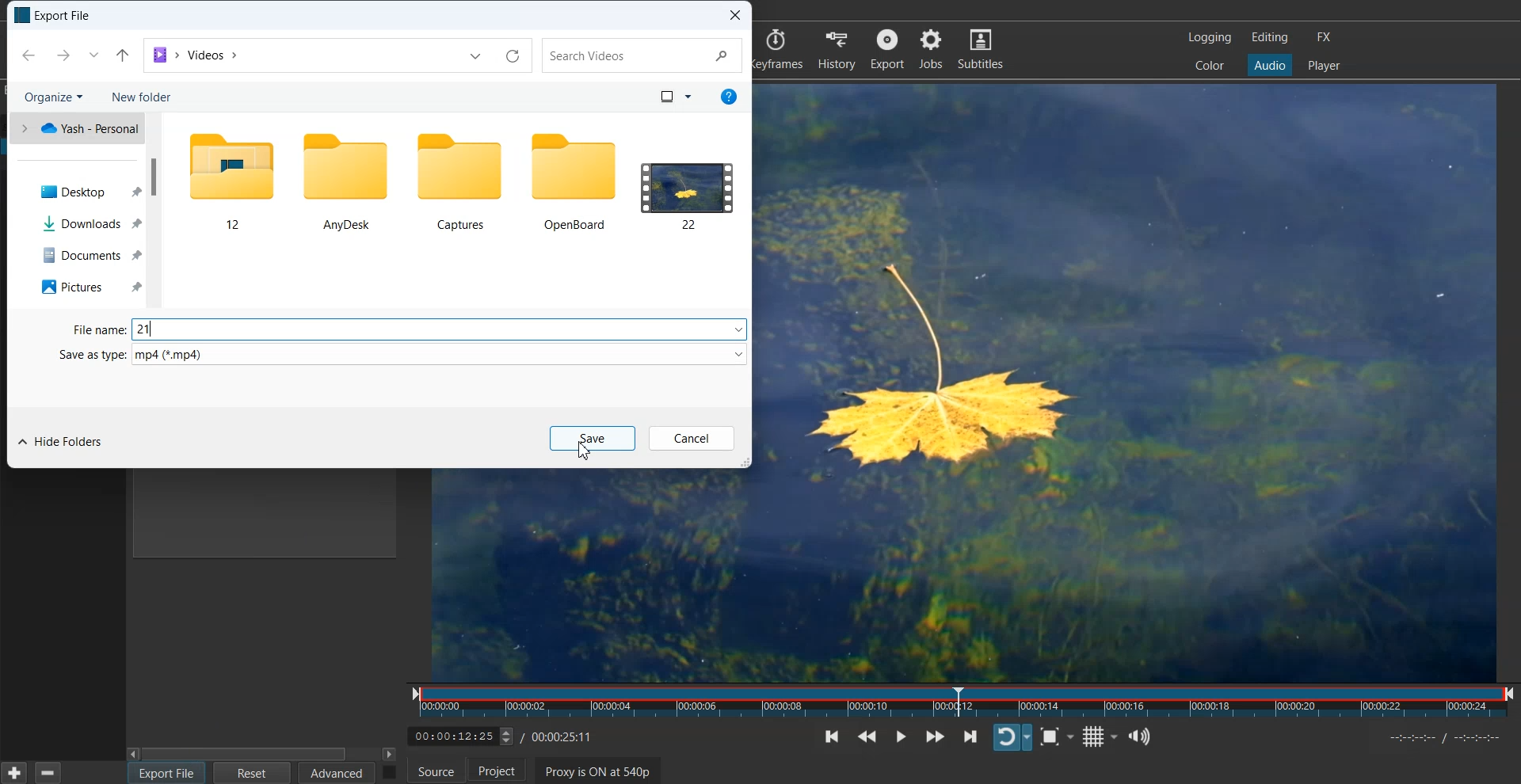 The width and height of the screenshot is (1521, 784). Describe the element at coordinates (93, 250) in the screenshot. I see `Documents` at that location.